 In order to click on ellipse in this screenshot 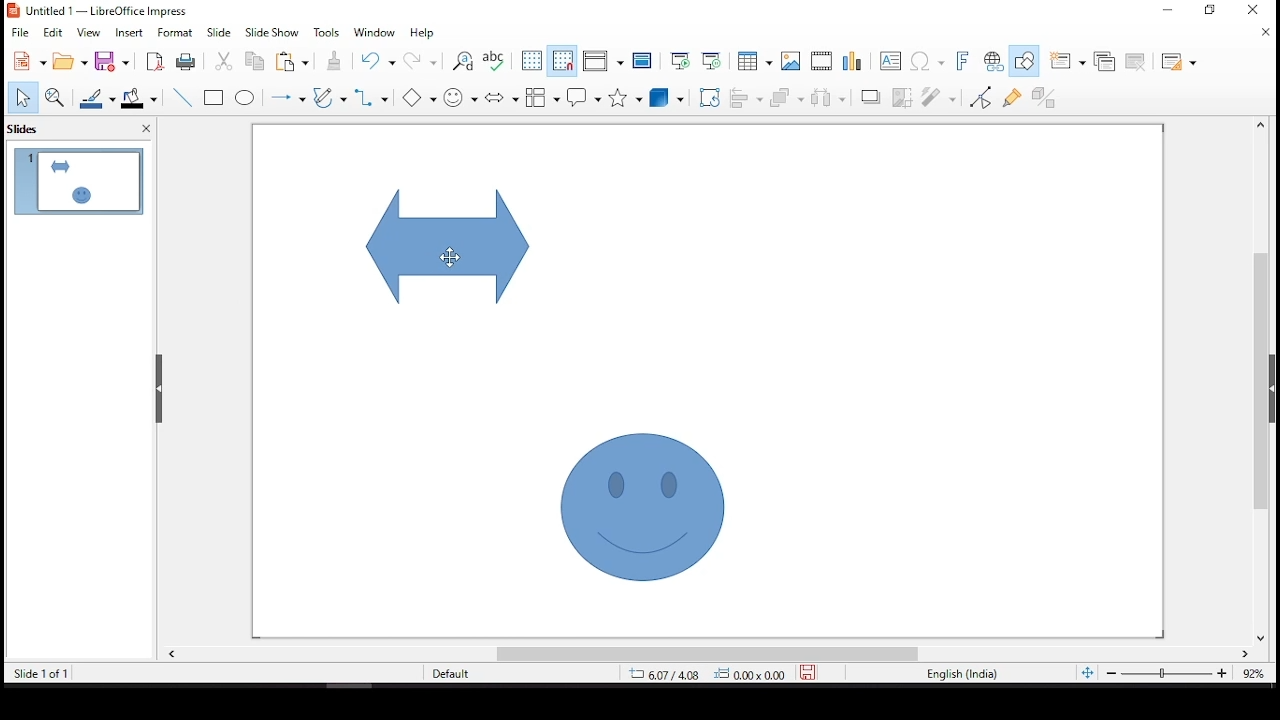, I will do `click(247, 100)`.